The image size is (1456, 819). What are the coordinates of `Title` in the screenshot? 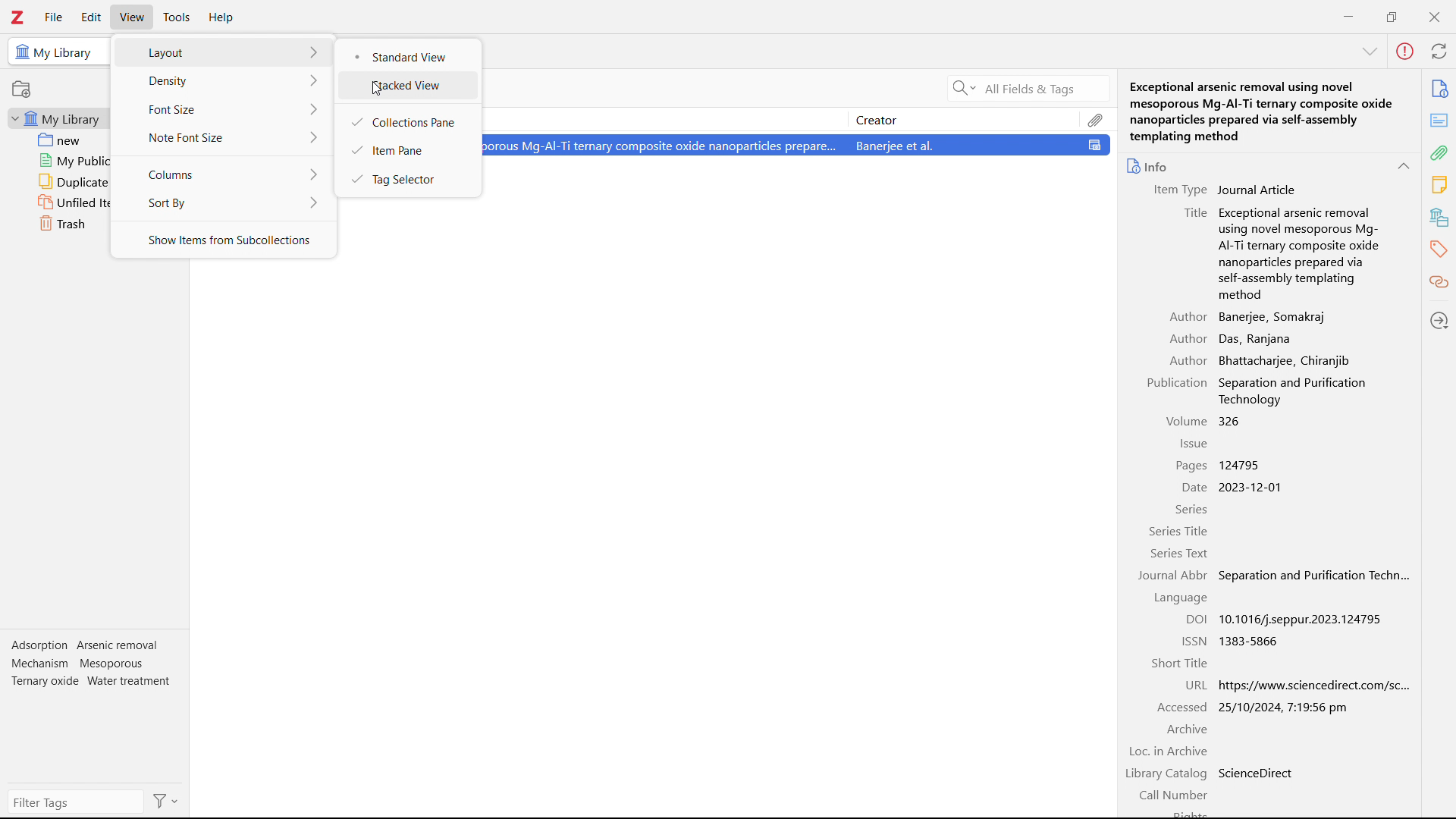 It's located at (1194, 214).